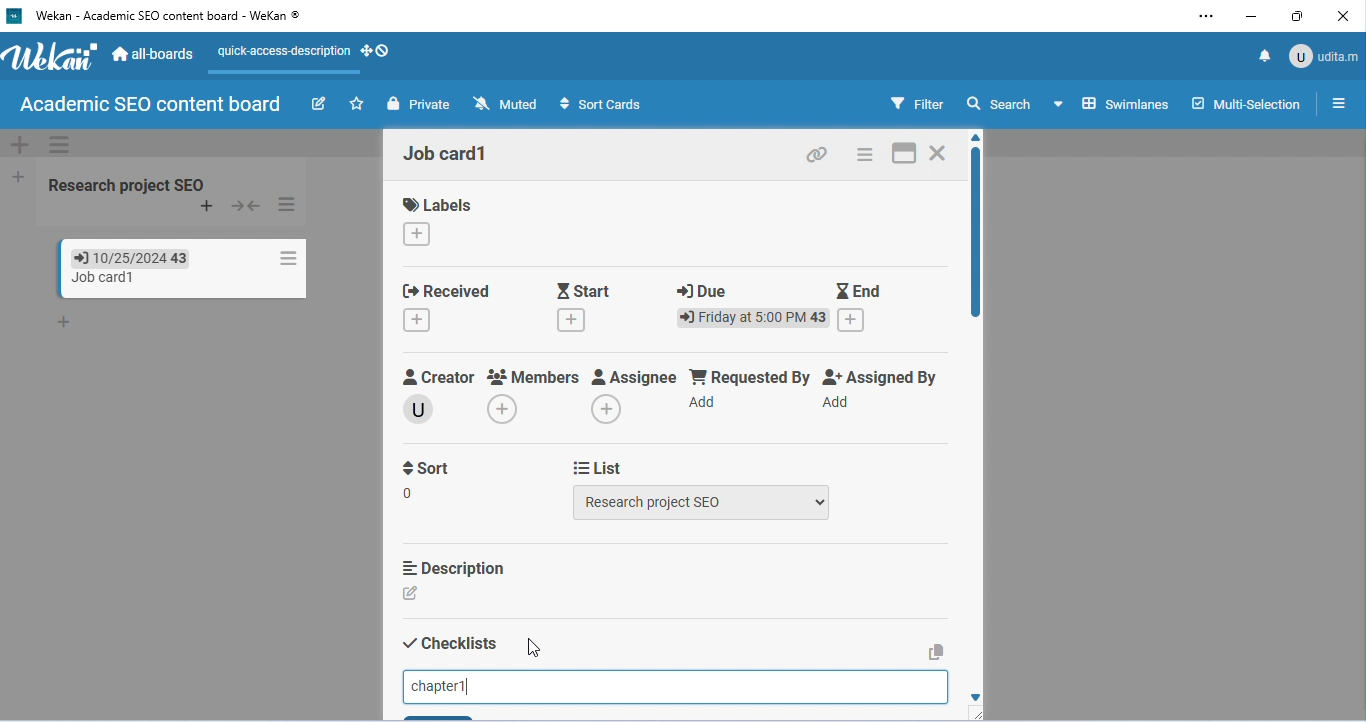 Image resolution: width=1366 pixels, height=722 pixels. What do you see at coordinates (153, 53) in the screenshot?
I see `all-boards` at bounding box center [153, 53].